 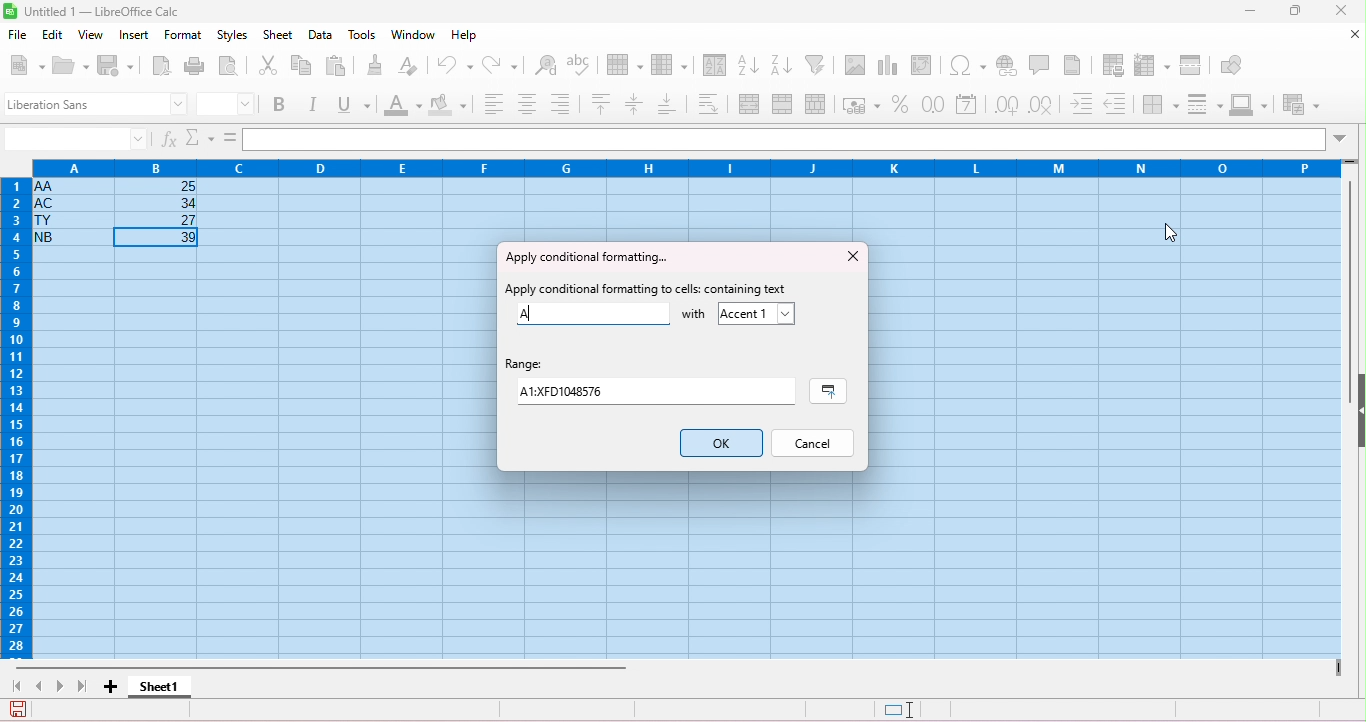 I want to click on underline, so click(x=353, y=105).